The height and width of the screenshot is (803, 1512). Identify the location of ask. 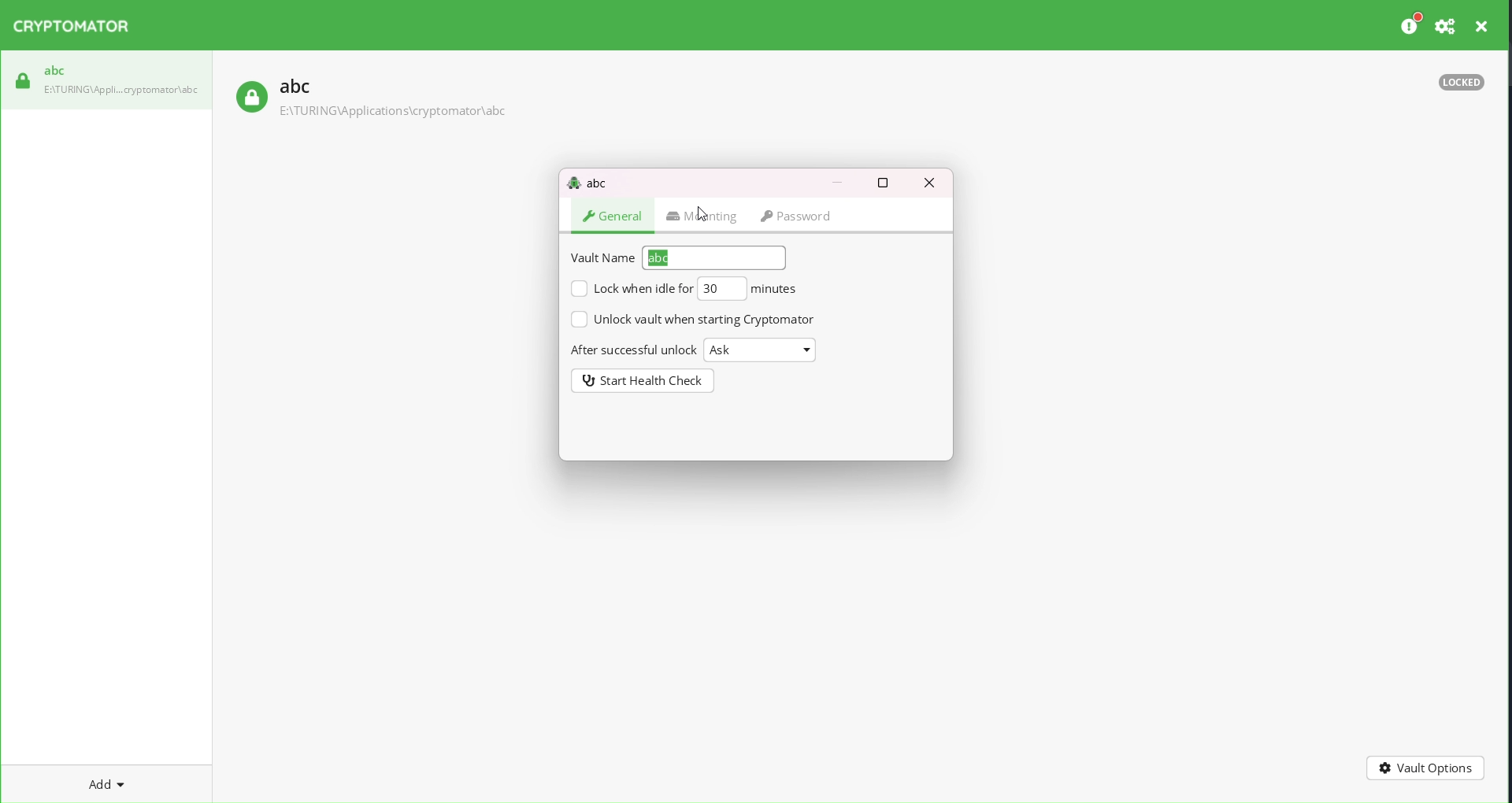
(764, 351).